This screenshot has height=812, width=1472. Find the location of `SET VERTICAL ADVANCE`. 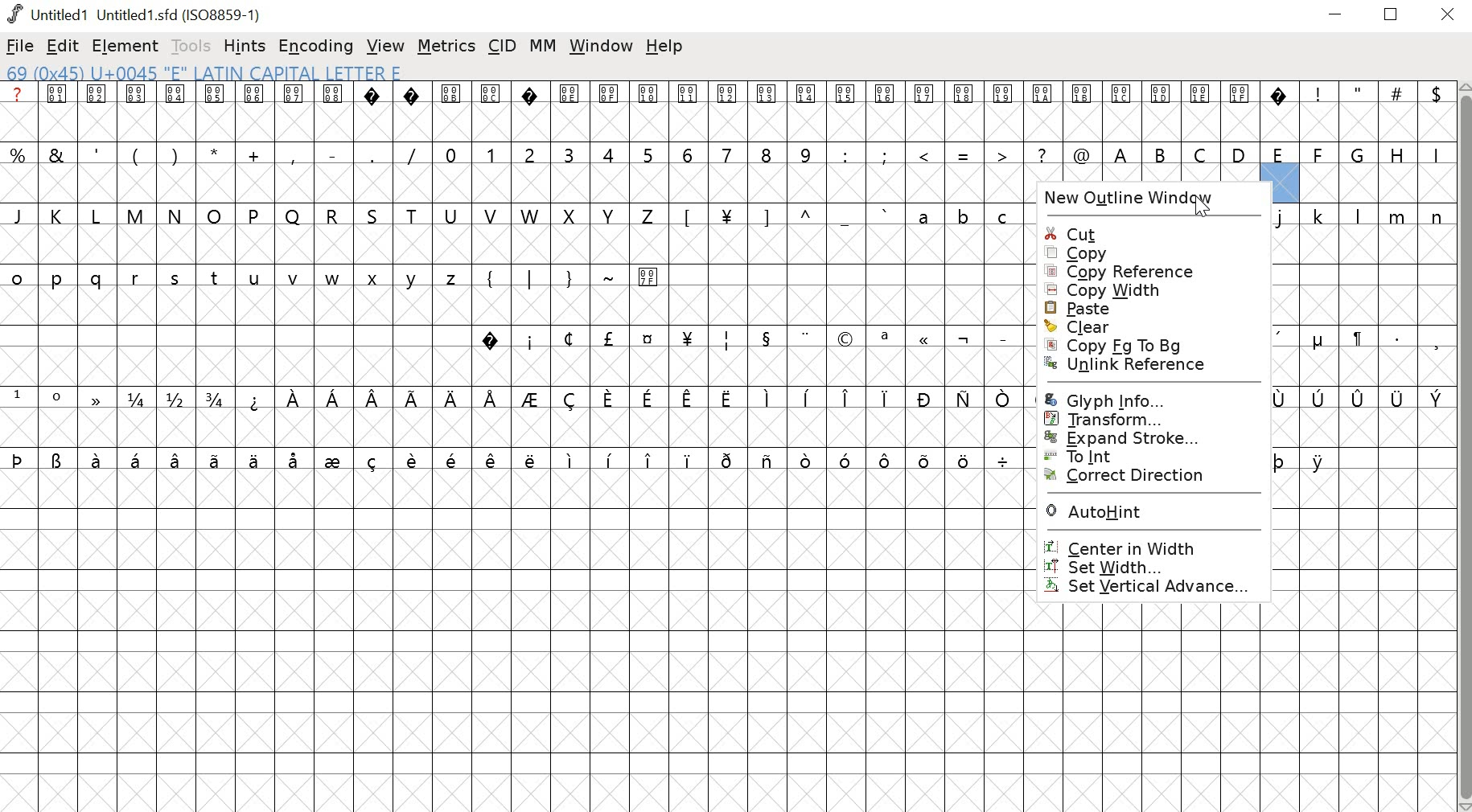

SET VERTICAL ADVANCE is located at coordinates (1149, 586).